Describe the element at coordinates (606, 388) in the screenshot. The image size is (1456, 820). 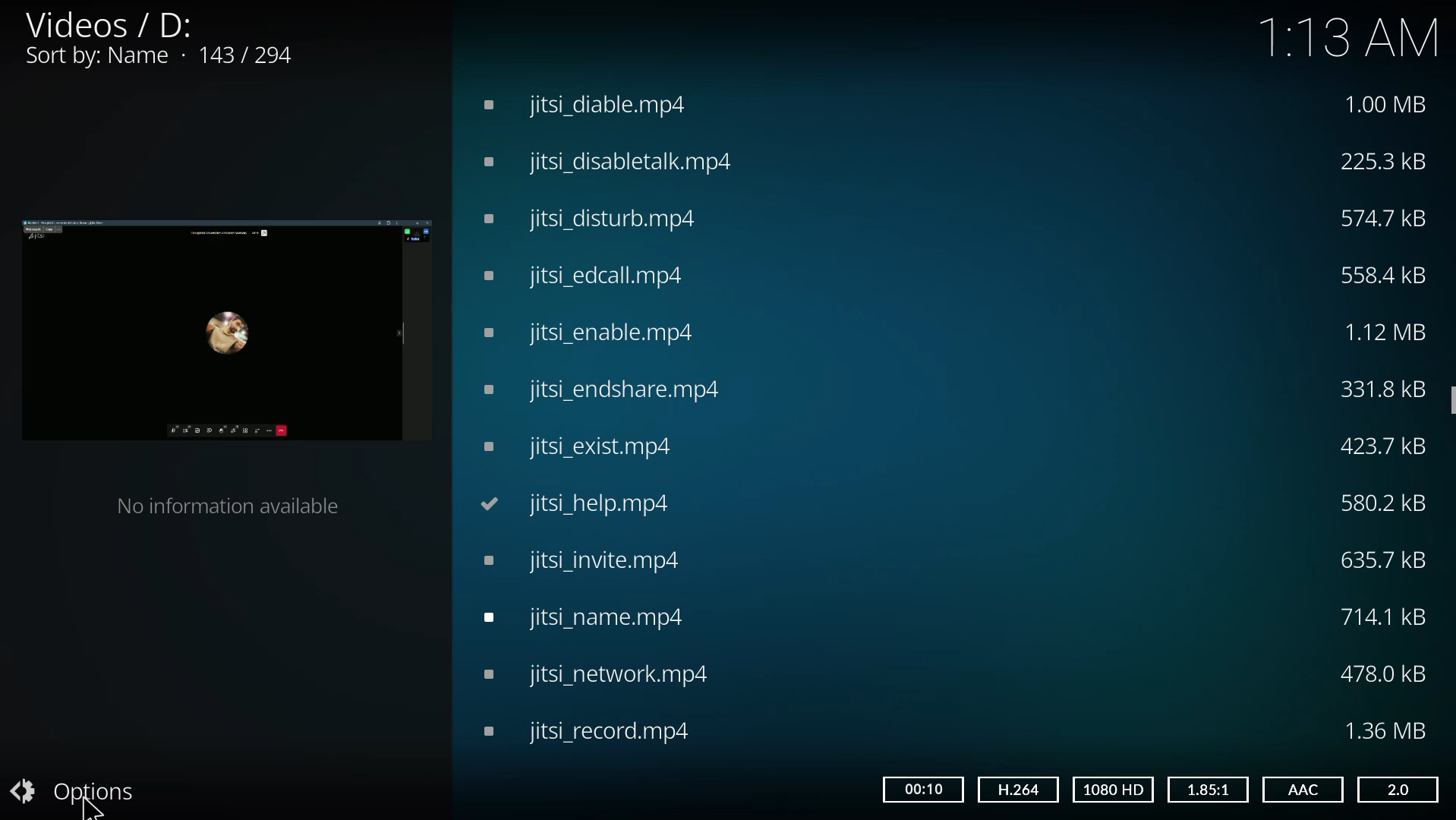
I see `video` at that location.